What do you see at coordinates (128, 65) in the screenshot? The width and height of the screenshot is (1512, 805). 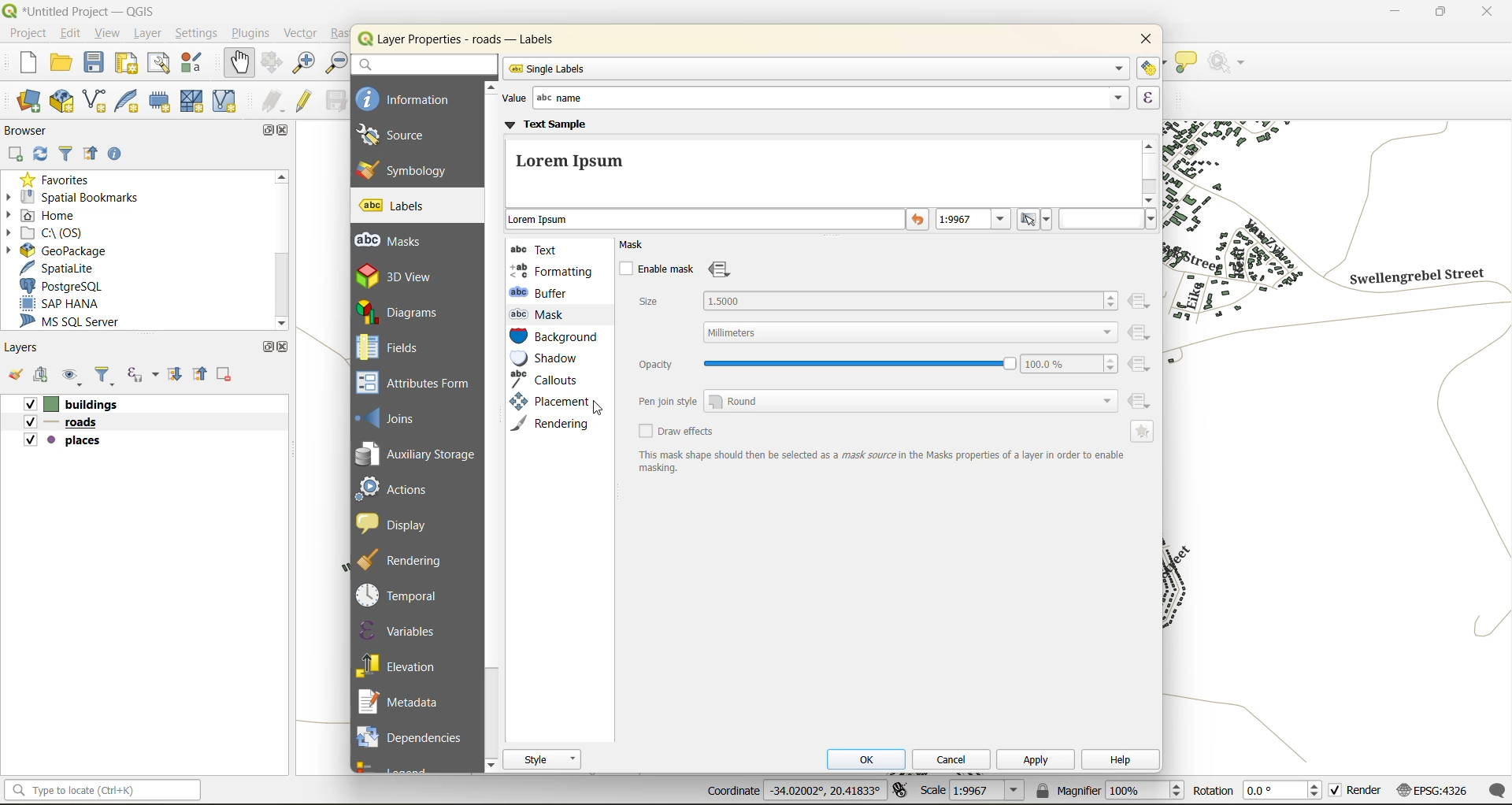 I see `print layout` at bounding box center [128, 65].